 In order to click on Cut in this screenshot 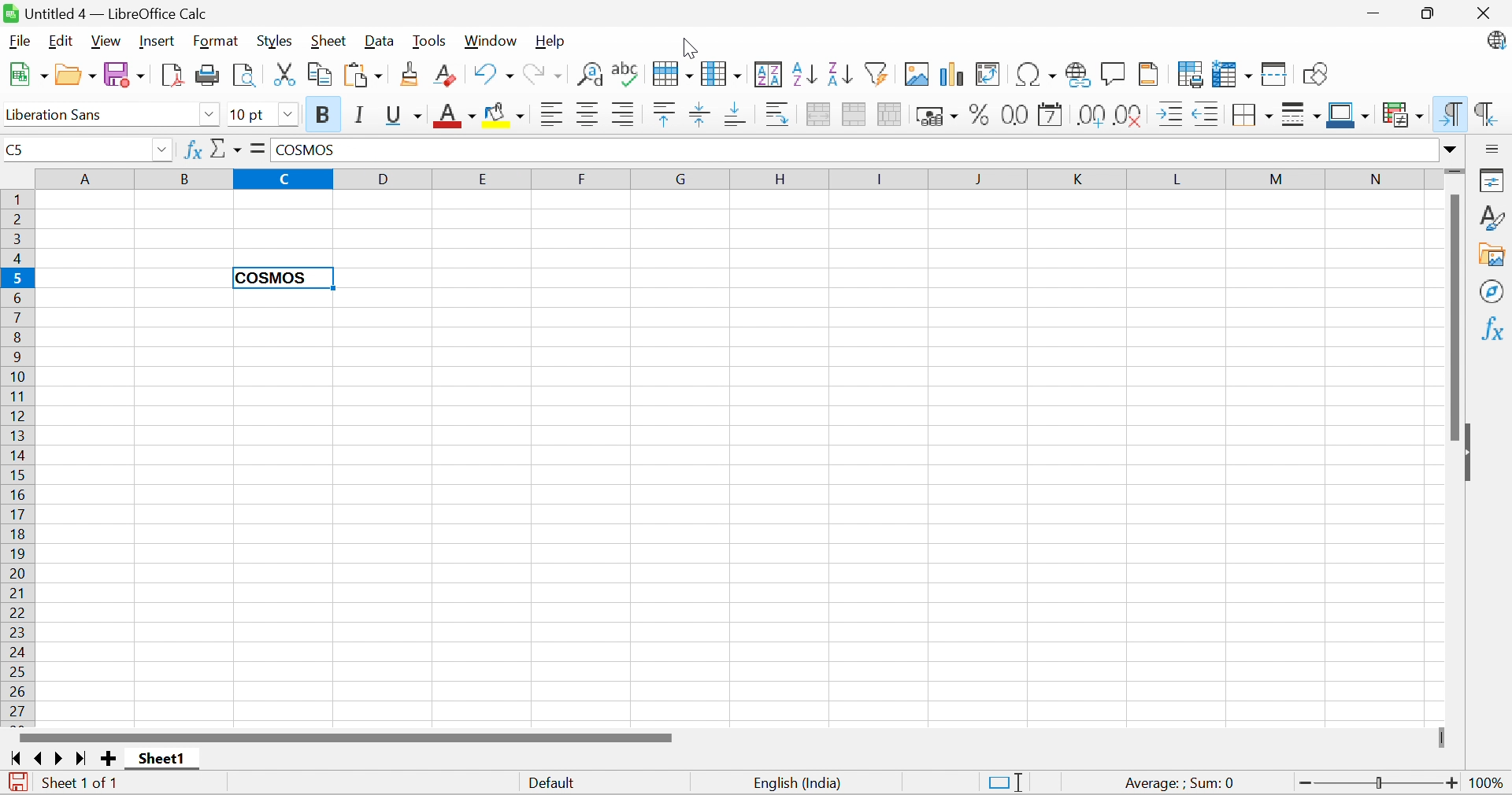, I will do `click(287, 74)`.